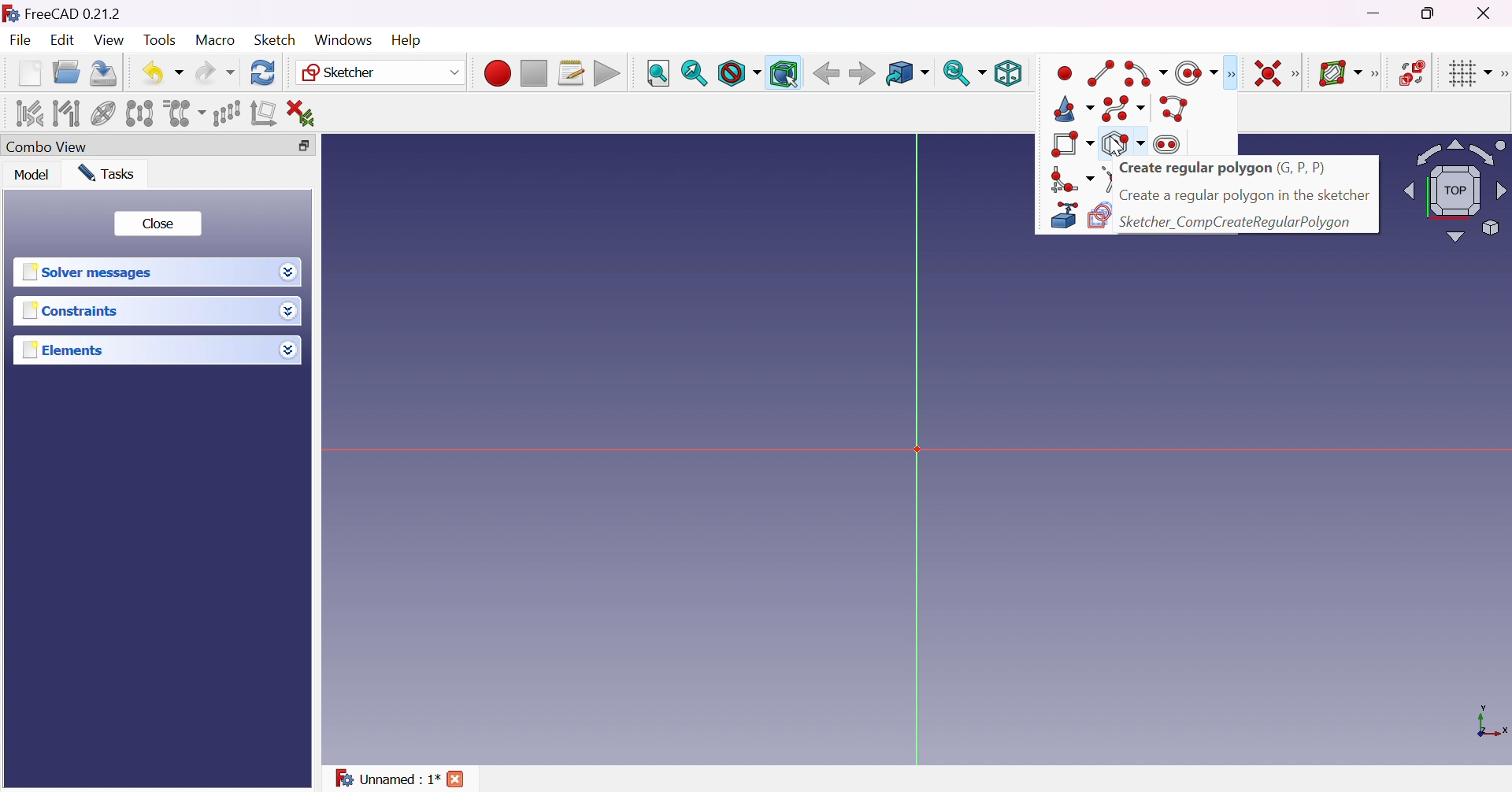 The height and width of the screenshot is (792, 1512). I want to click on Create arc, so click(1146, 74).